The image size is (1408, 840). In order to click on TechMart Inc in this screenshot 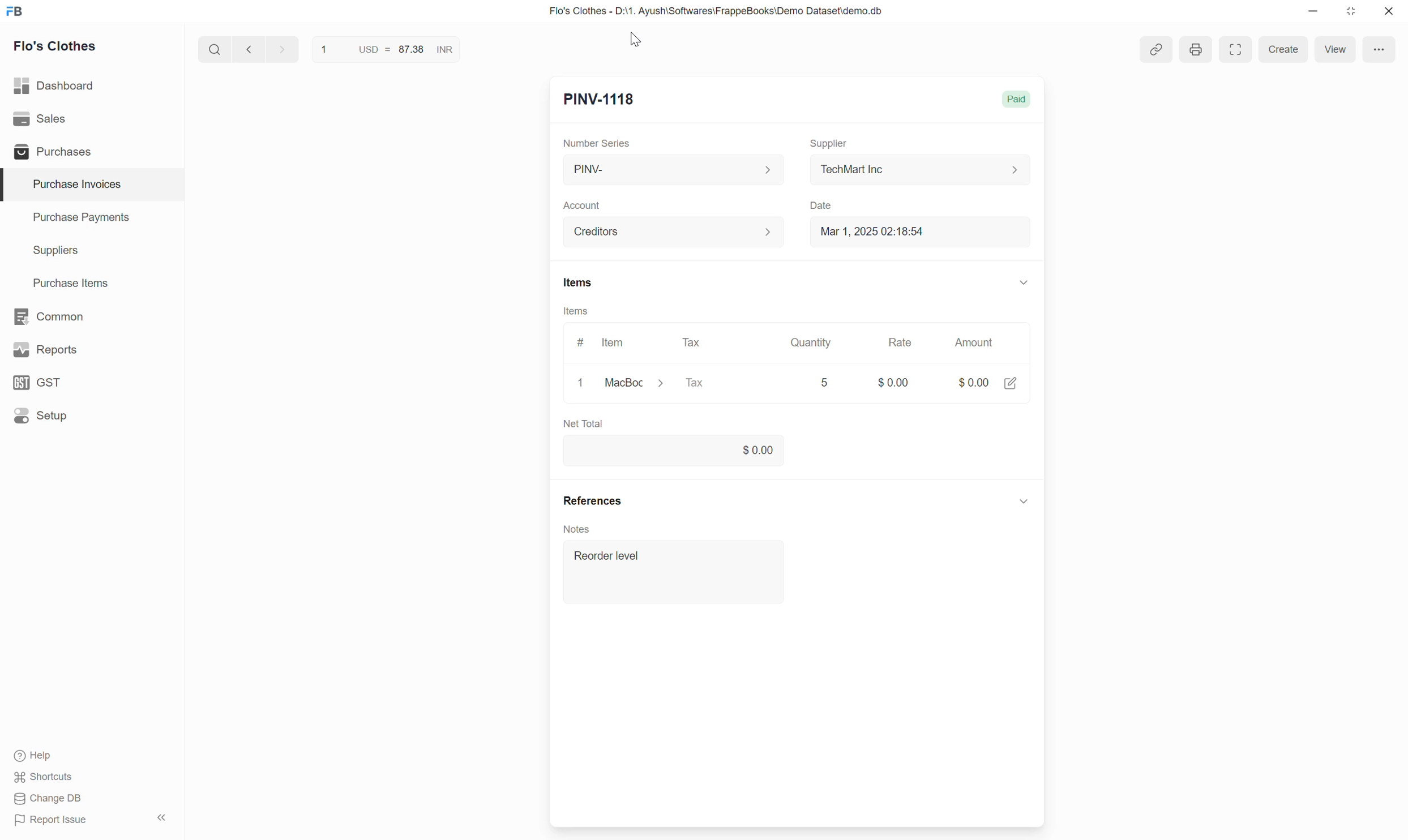, I will do `click(921, 170)`.